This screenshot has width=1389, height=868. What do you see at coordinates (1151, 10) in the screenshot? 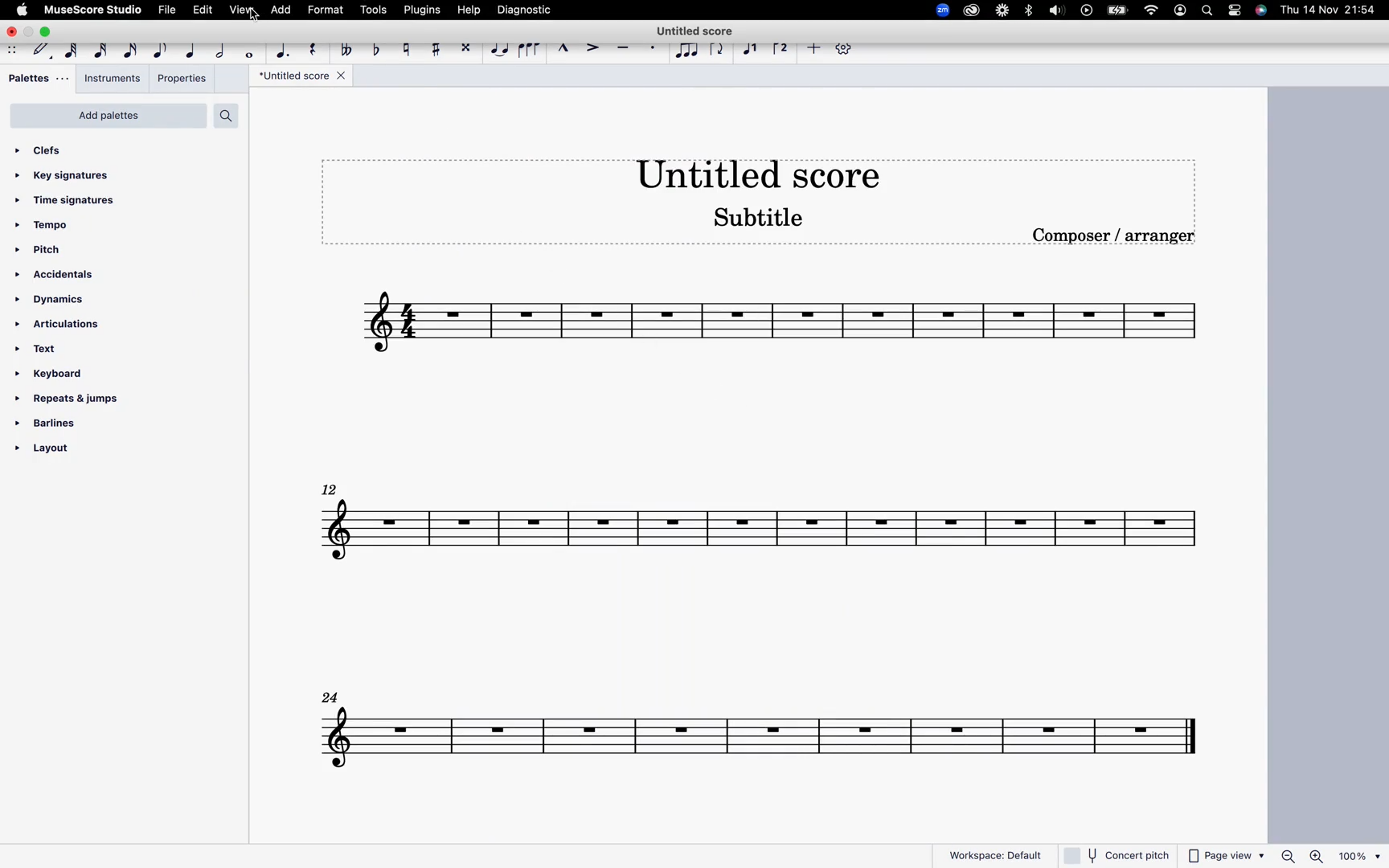
I see `wifi` at bounding box center [1151, 10].